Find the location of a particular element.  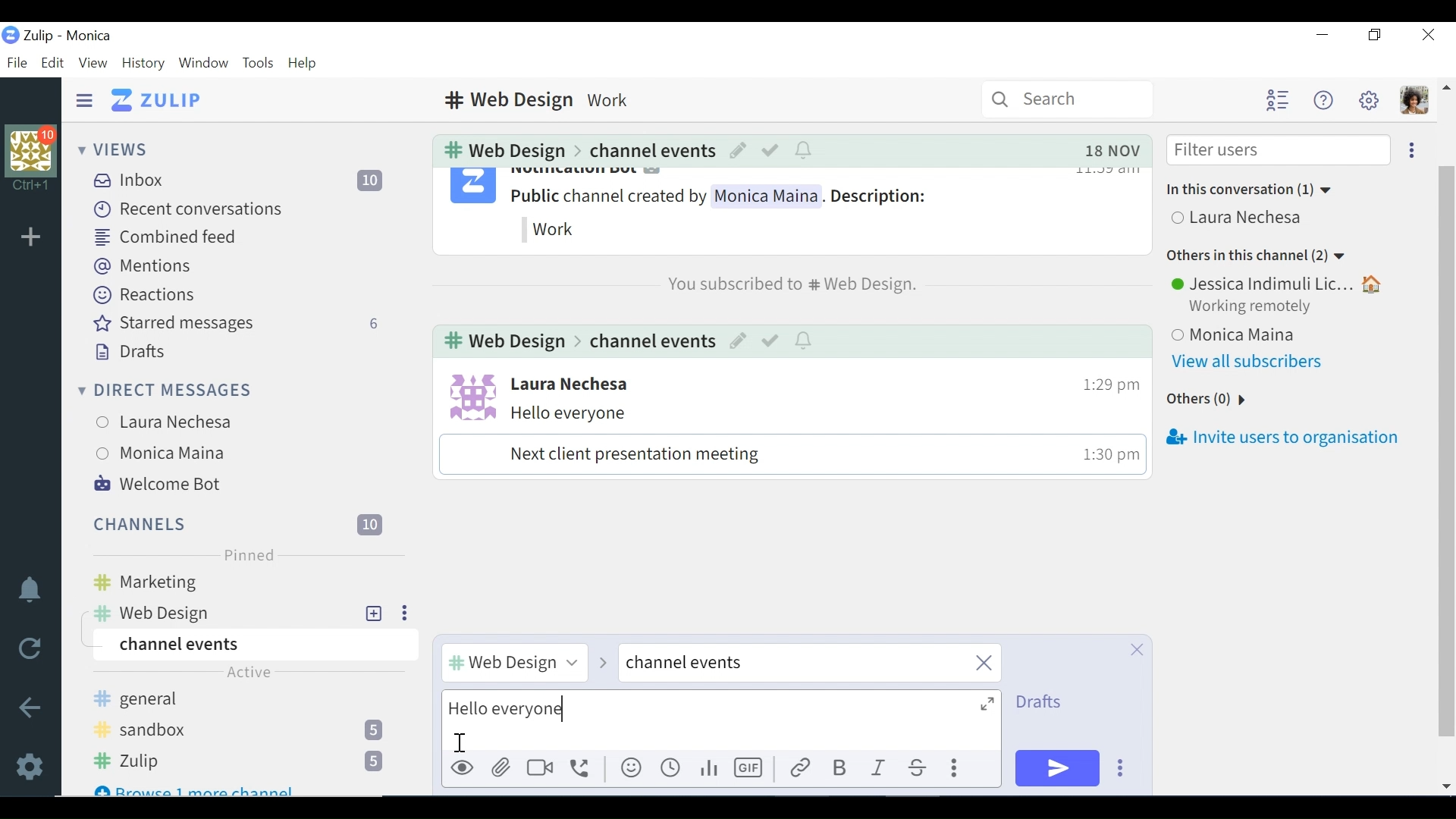

Ellipsis is located at coordinates (402, 613).